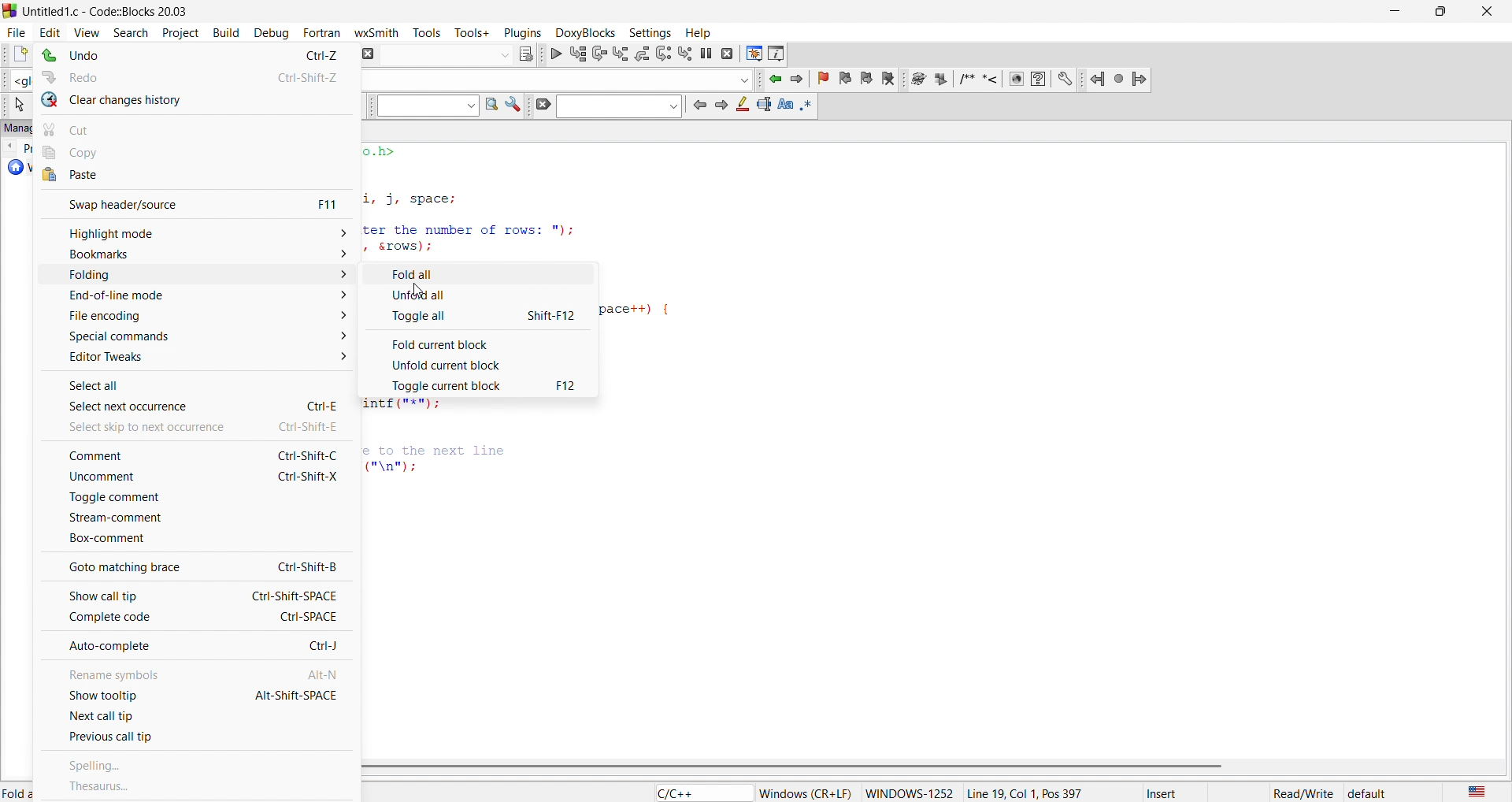 The image size is (1512, 802). What do you see at coordinates (1024, 793) in the screenshot?
I see `Line 19, col 1, Pos 397` at bounding box center [1024, 793].